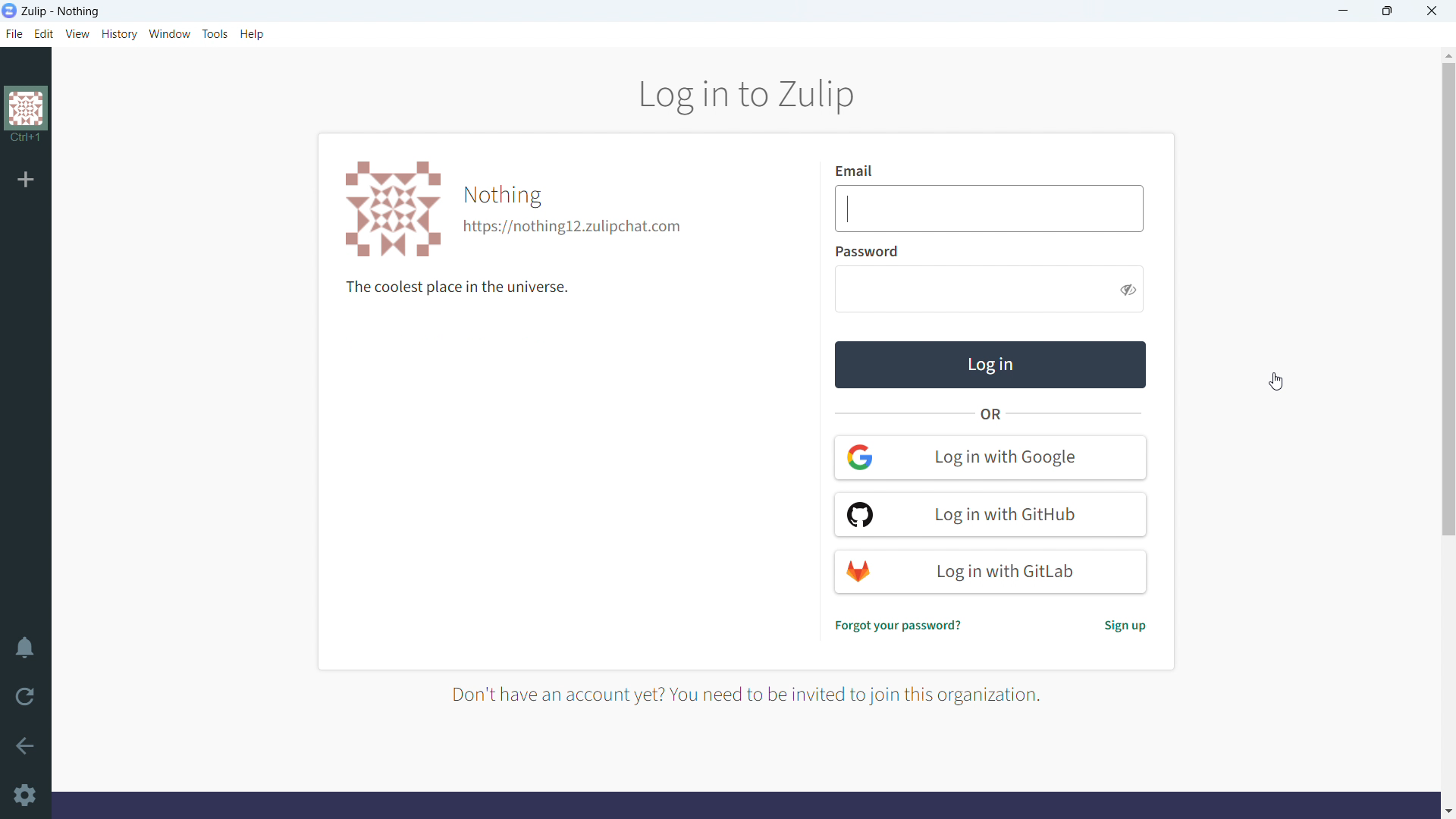 This screenshot has width=1456, height=819. Describe the element at coordinates (1342, 11) in the screenshot. I see `minimize` at that location.